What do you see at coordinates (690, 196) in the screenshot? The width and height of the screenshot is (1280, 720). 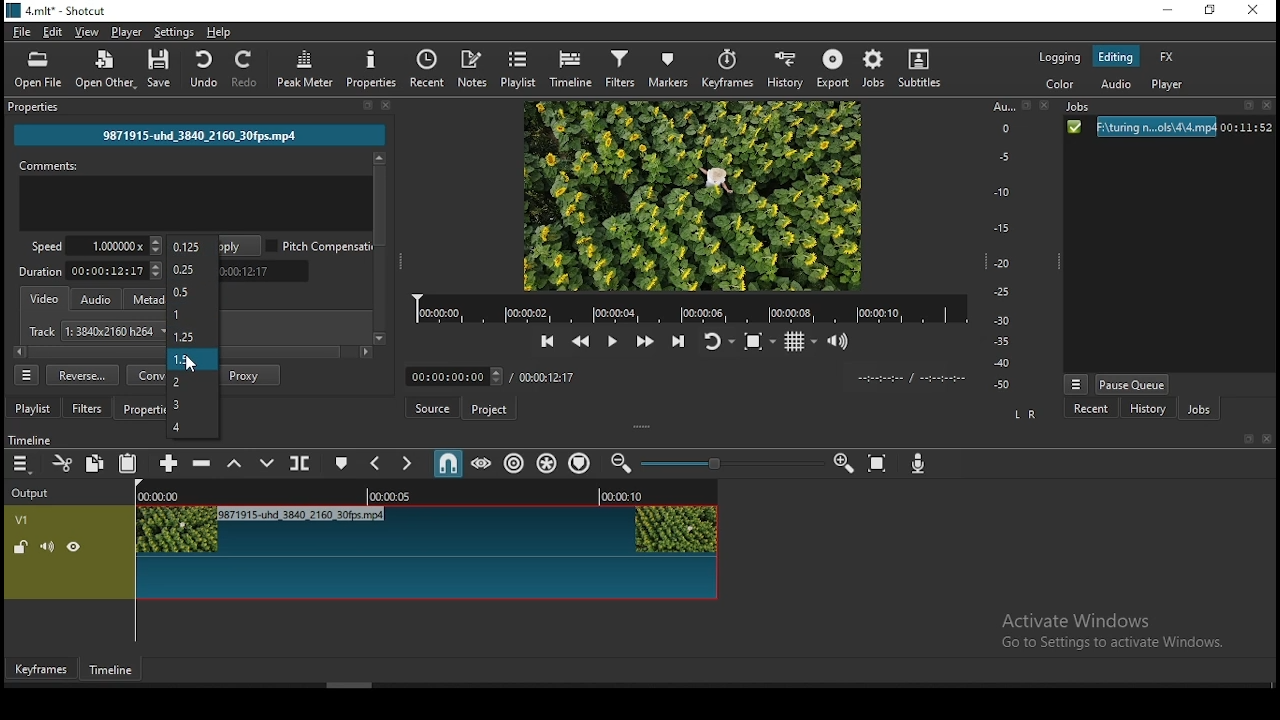 I see `video preview` at bounding box center [690, 196].